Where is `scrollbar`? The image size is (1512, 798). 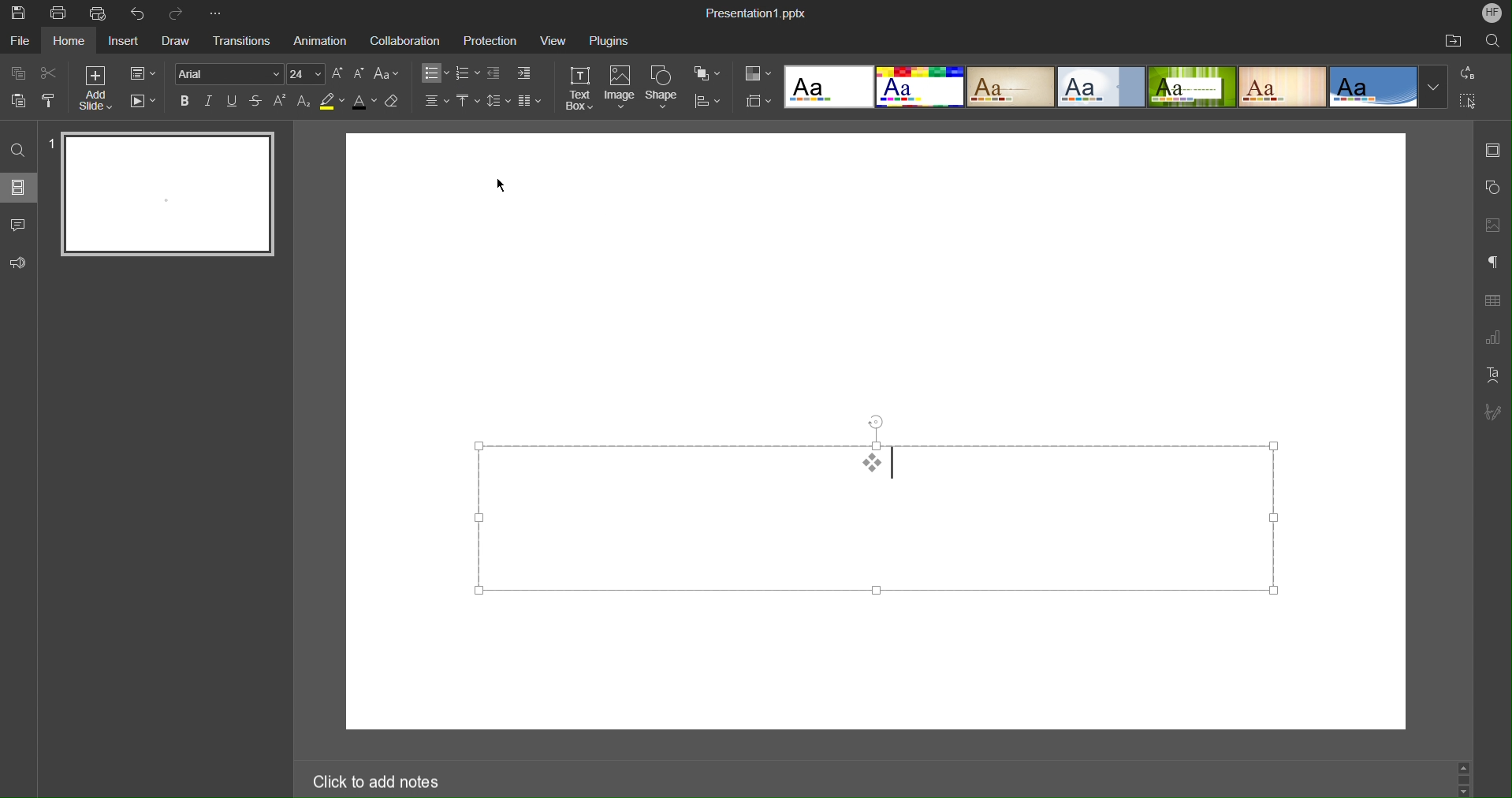 scrollbar is located at coordinates (1463, 779).